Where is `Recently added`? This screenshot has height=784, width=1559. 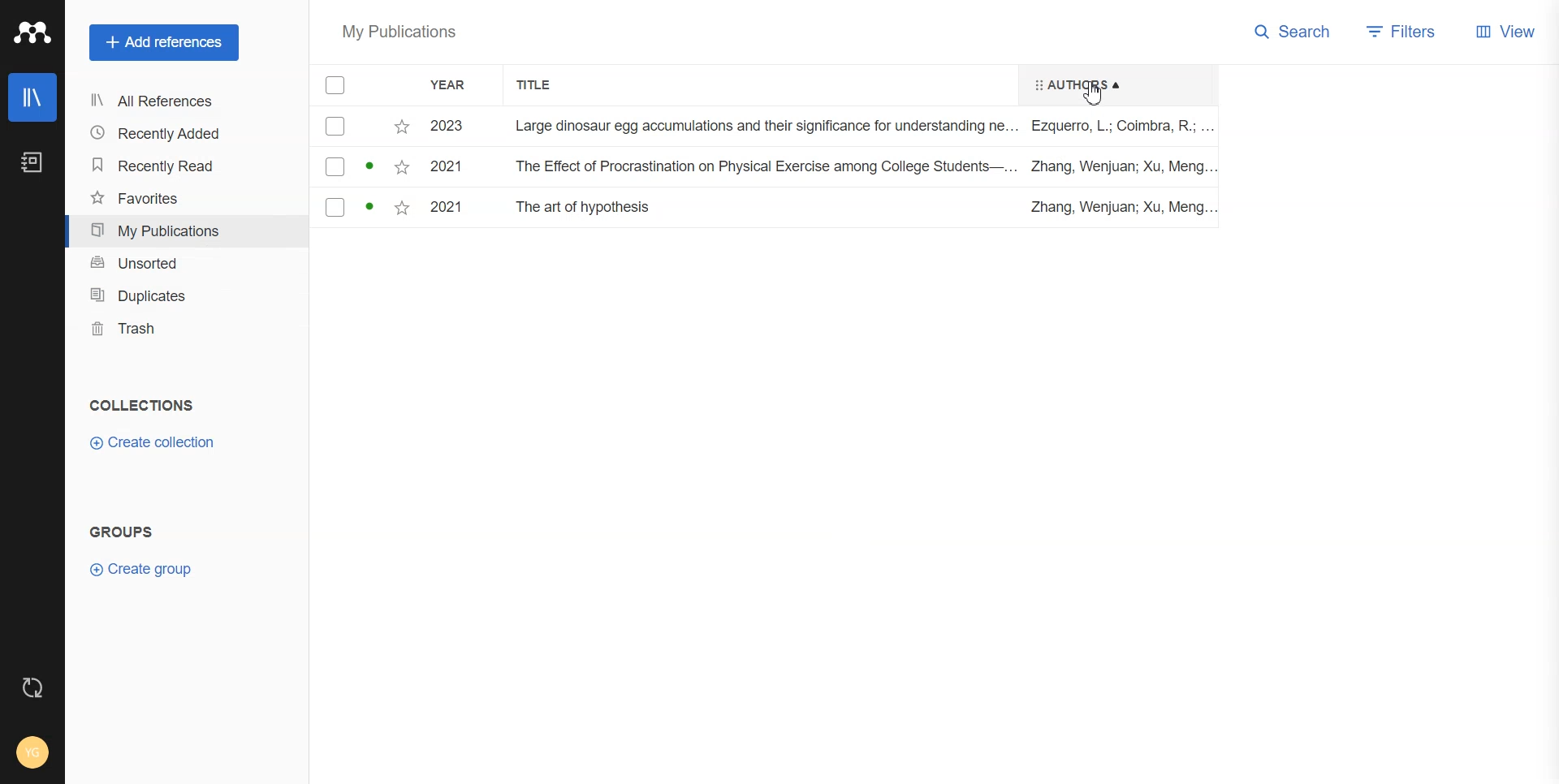 Recently added is located at coordinates (179, 134).